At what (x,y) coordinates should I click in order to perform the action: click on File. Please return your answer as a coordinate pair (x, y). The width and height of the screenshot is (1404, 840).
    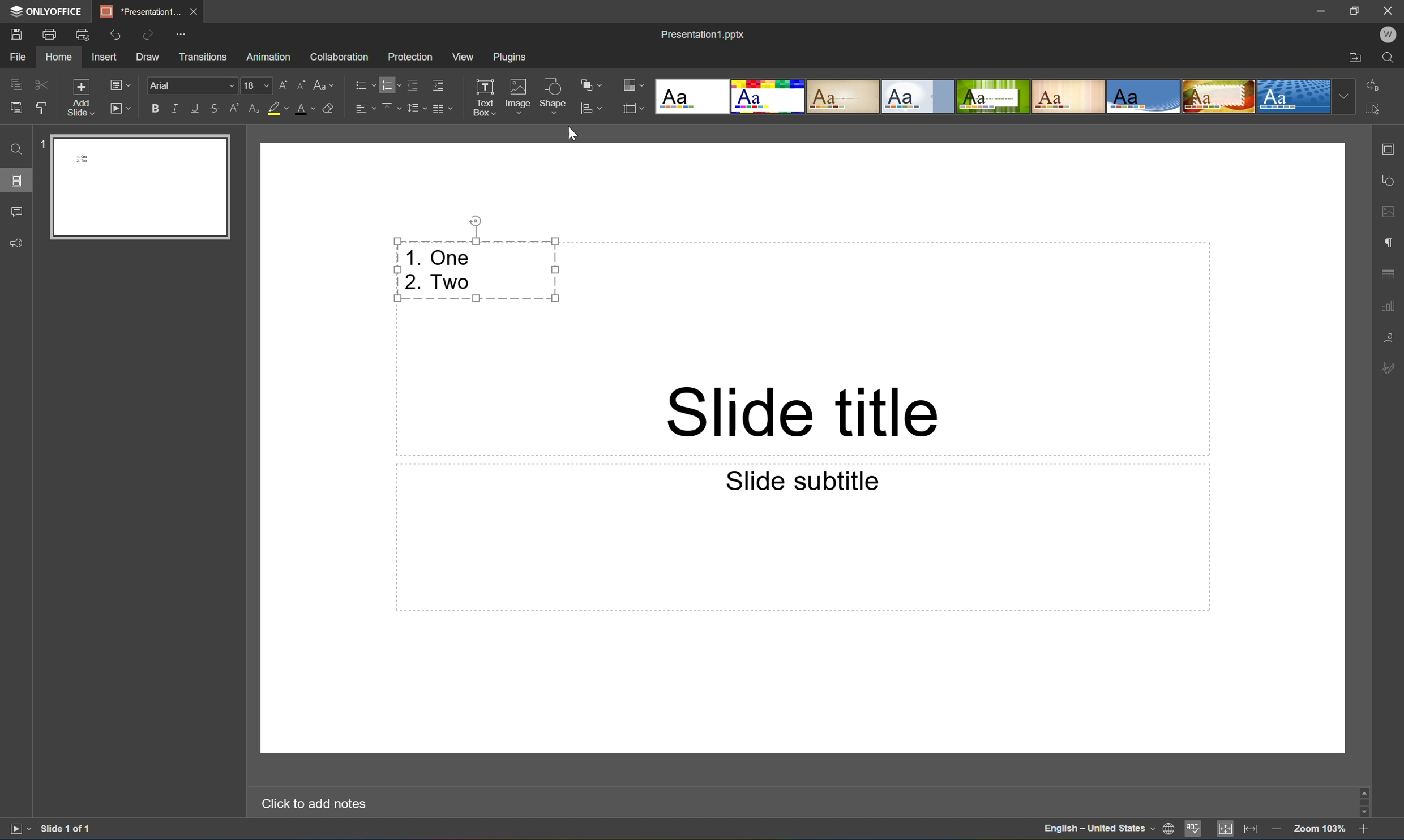
    Looking at the image, I should click on (22, 56).